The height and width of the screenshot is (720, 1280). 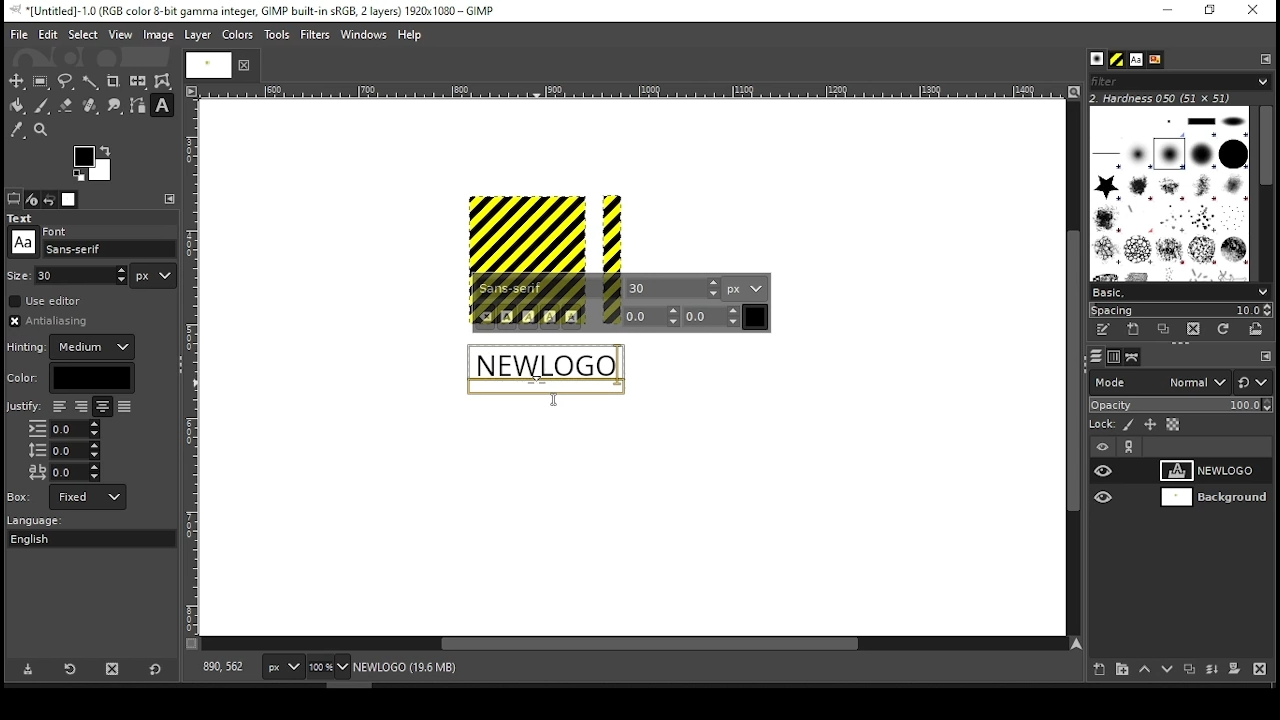 I want to click on move layer one step up, so click(x=1145, y=671).